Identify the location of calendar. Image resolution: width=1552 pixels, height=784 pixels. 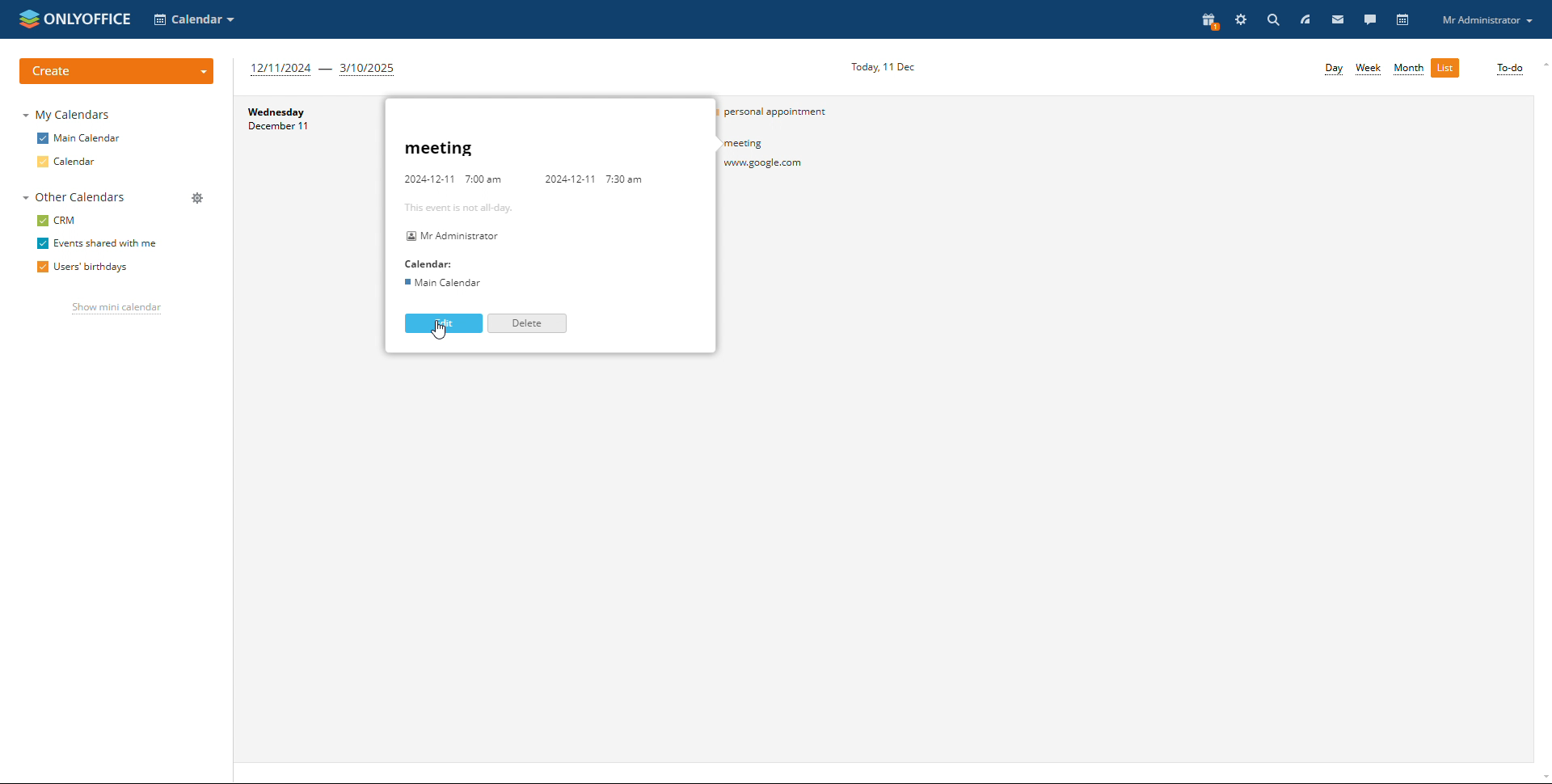
(65, 162).